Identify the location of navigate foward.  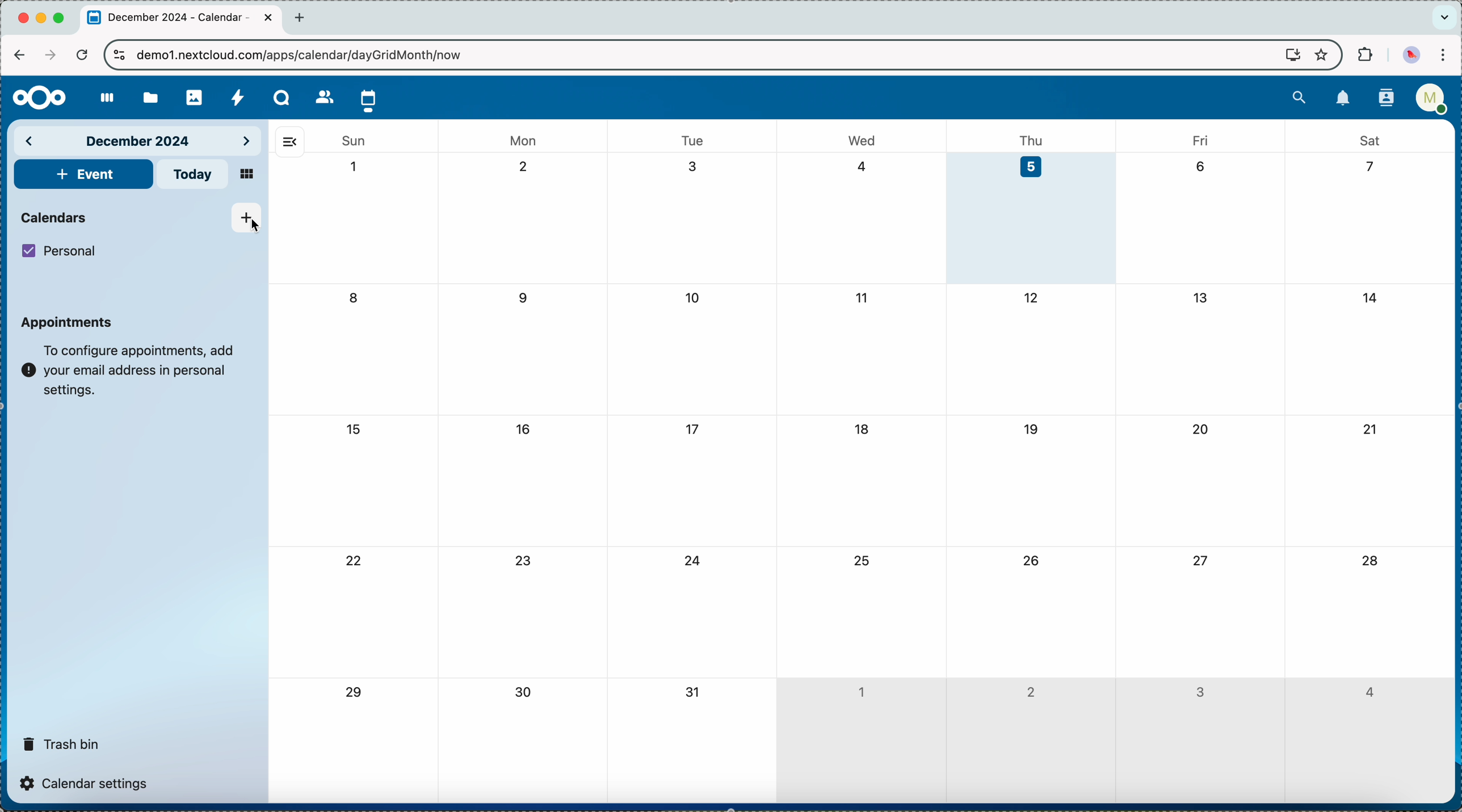
(48, 55).